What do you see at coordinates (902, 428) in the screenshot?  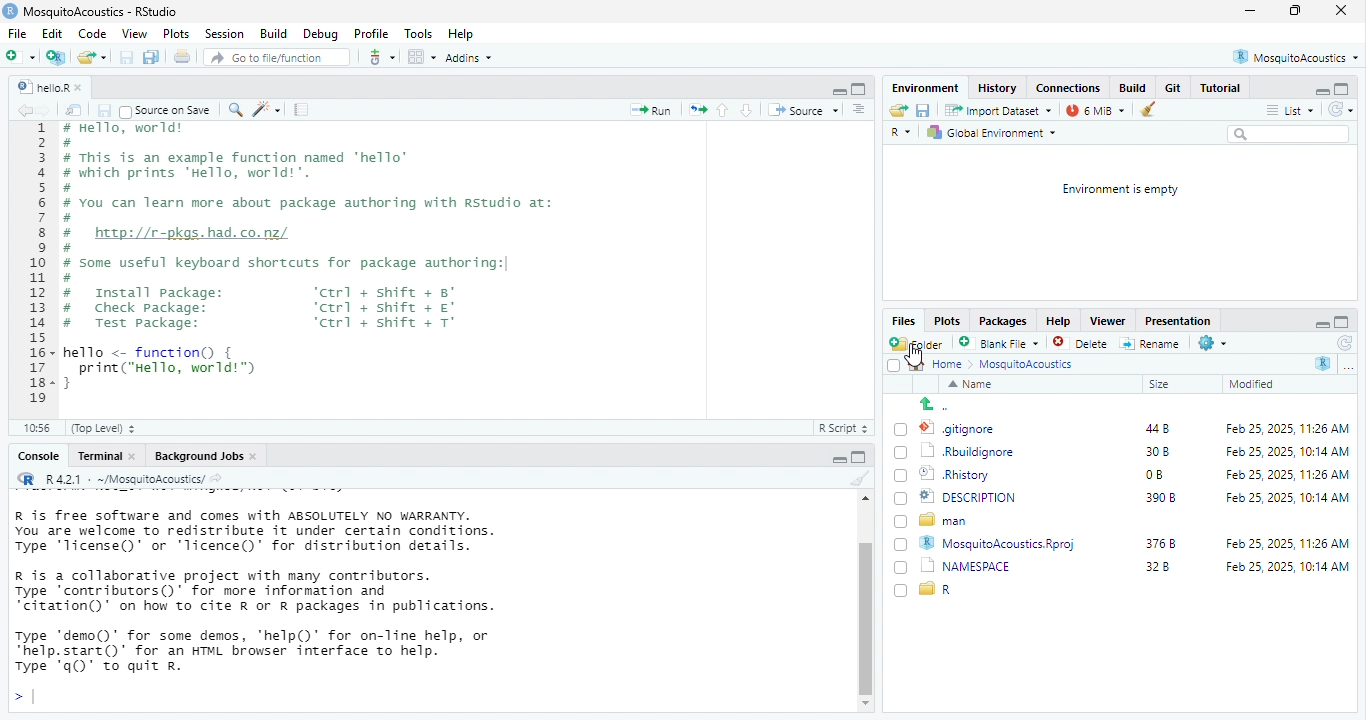 I see `checkbox` at bounding box center [902, 428].